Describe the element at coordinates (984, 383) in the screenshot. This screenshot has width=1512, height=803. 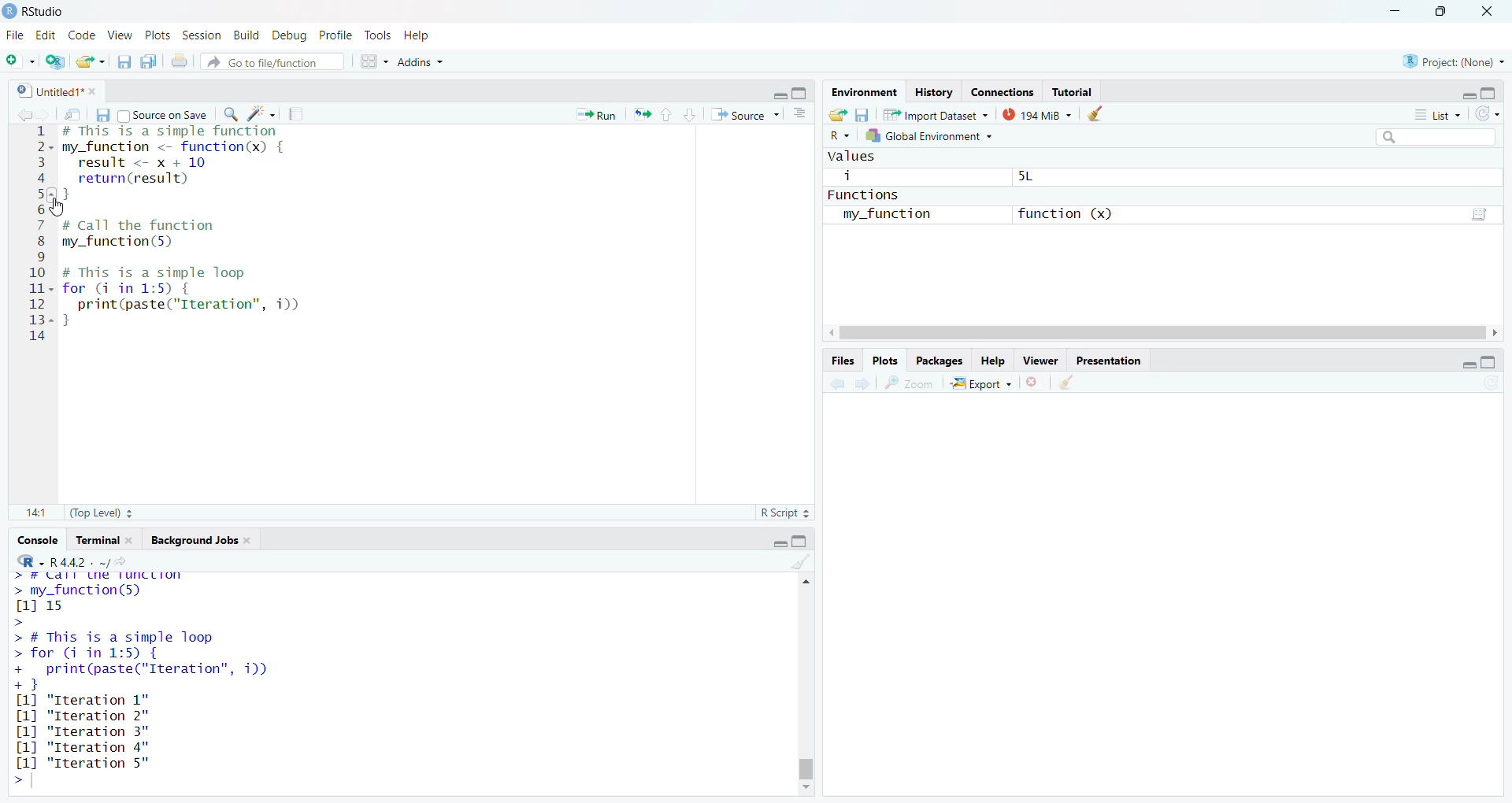
I see `export` at that location.